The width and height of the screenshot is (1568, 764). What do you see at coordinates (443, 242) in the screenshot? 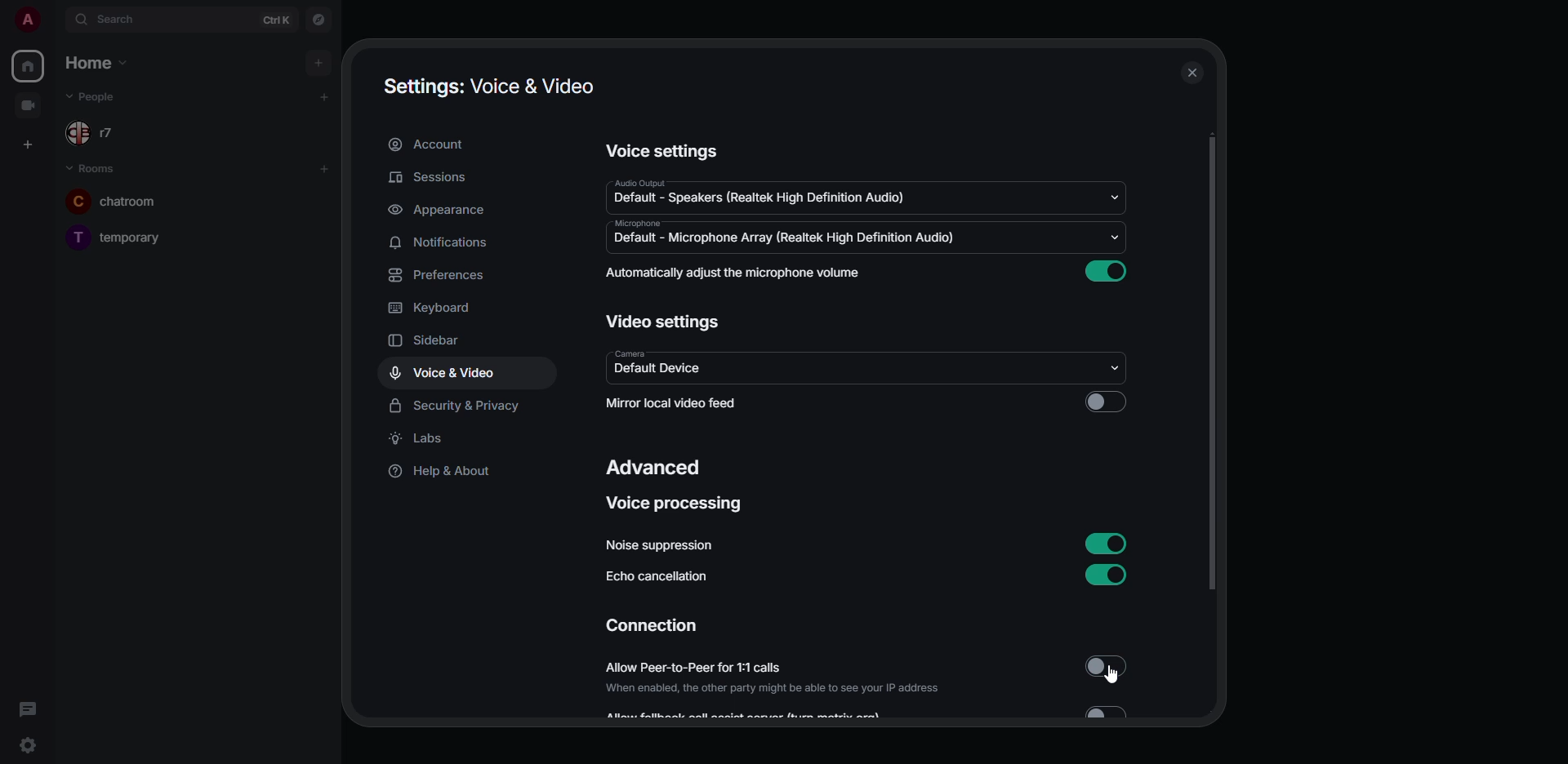
I see `notifications` at bounding box center [443, 242].